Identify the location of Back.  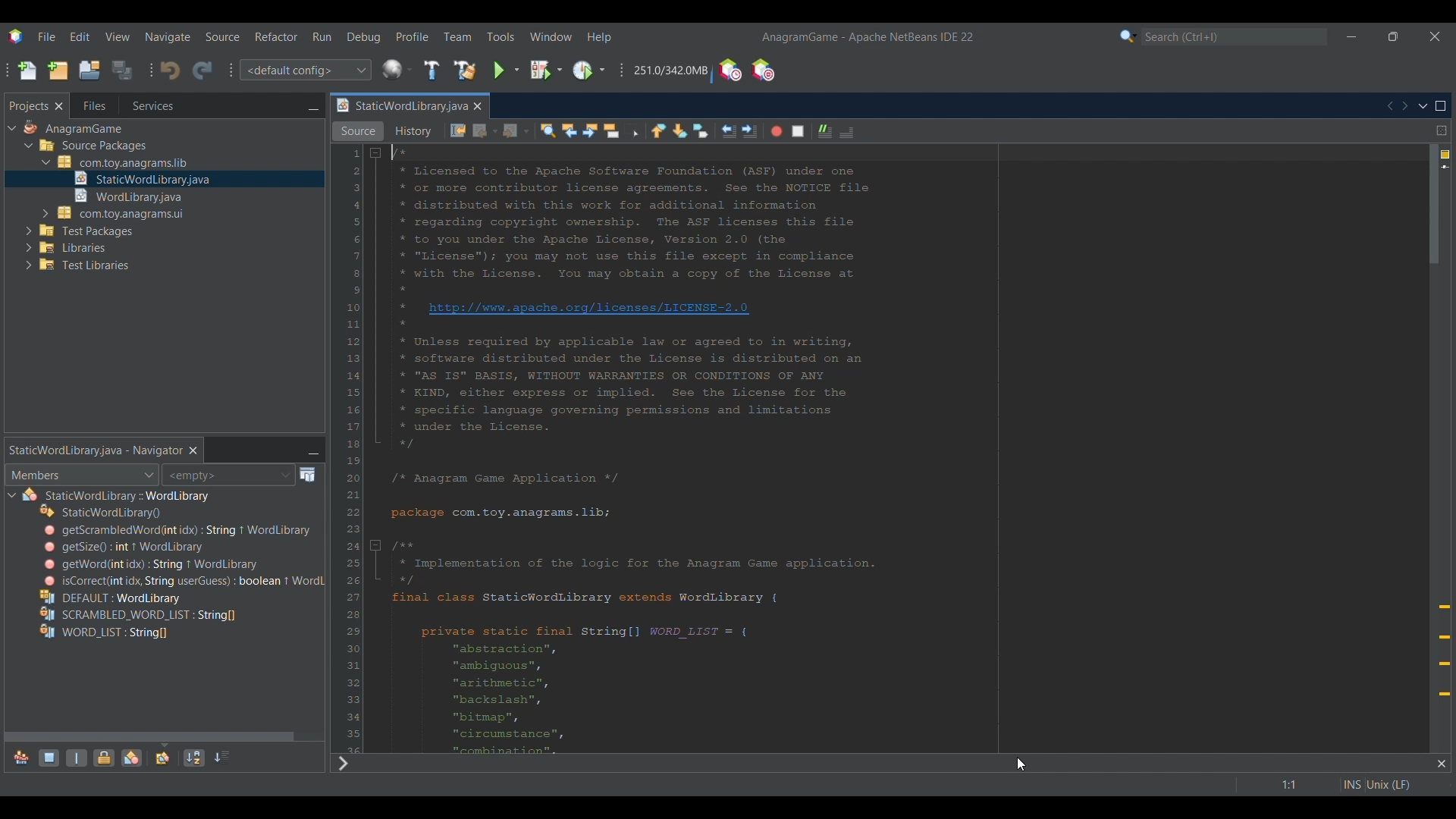
(480, 130).